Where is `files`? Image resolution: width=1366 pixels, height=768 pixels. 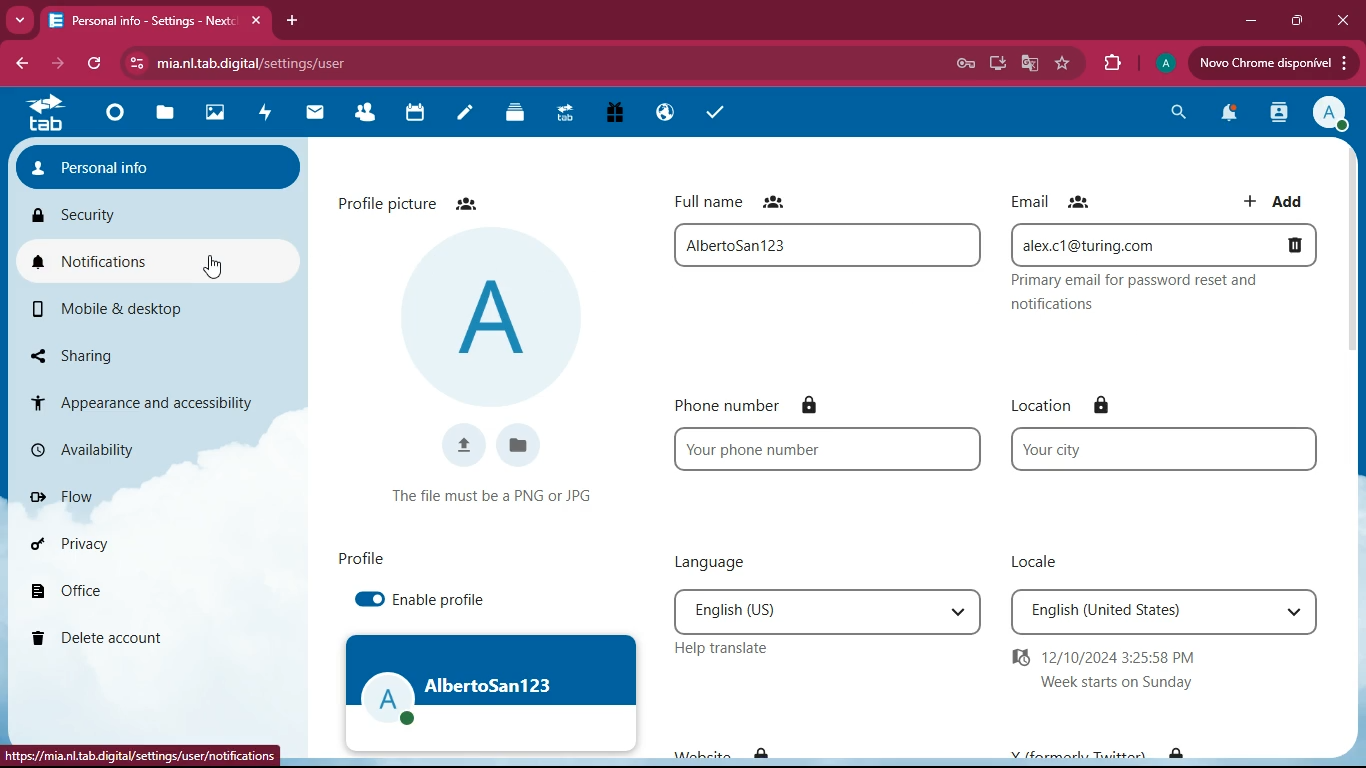 files is located at coordinates (171, 112).